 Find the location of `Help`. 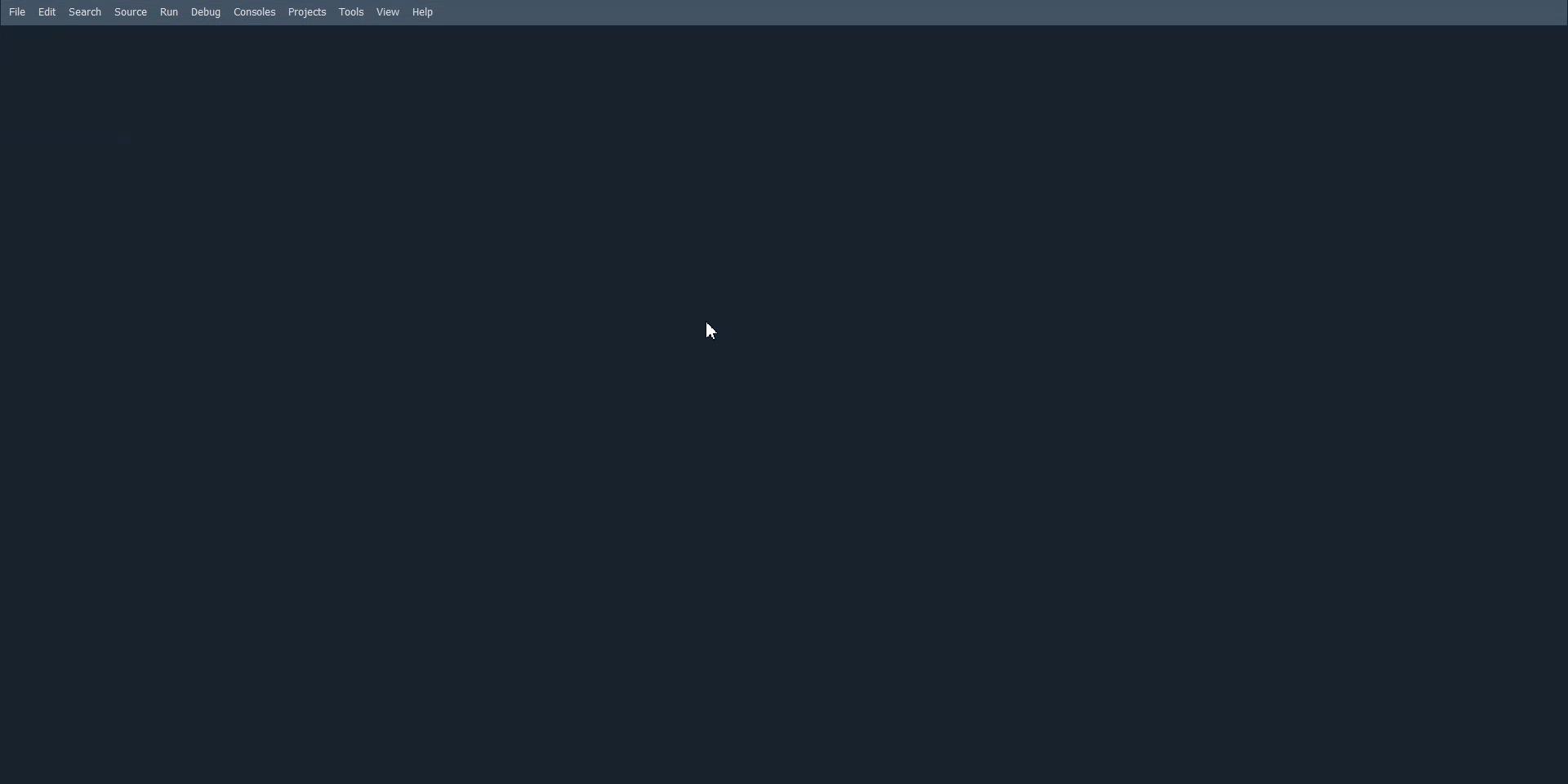

Help is located at coordinates (424, 13).